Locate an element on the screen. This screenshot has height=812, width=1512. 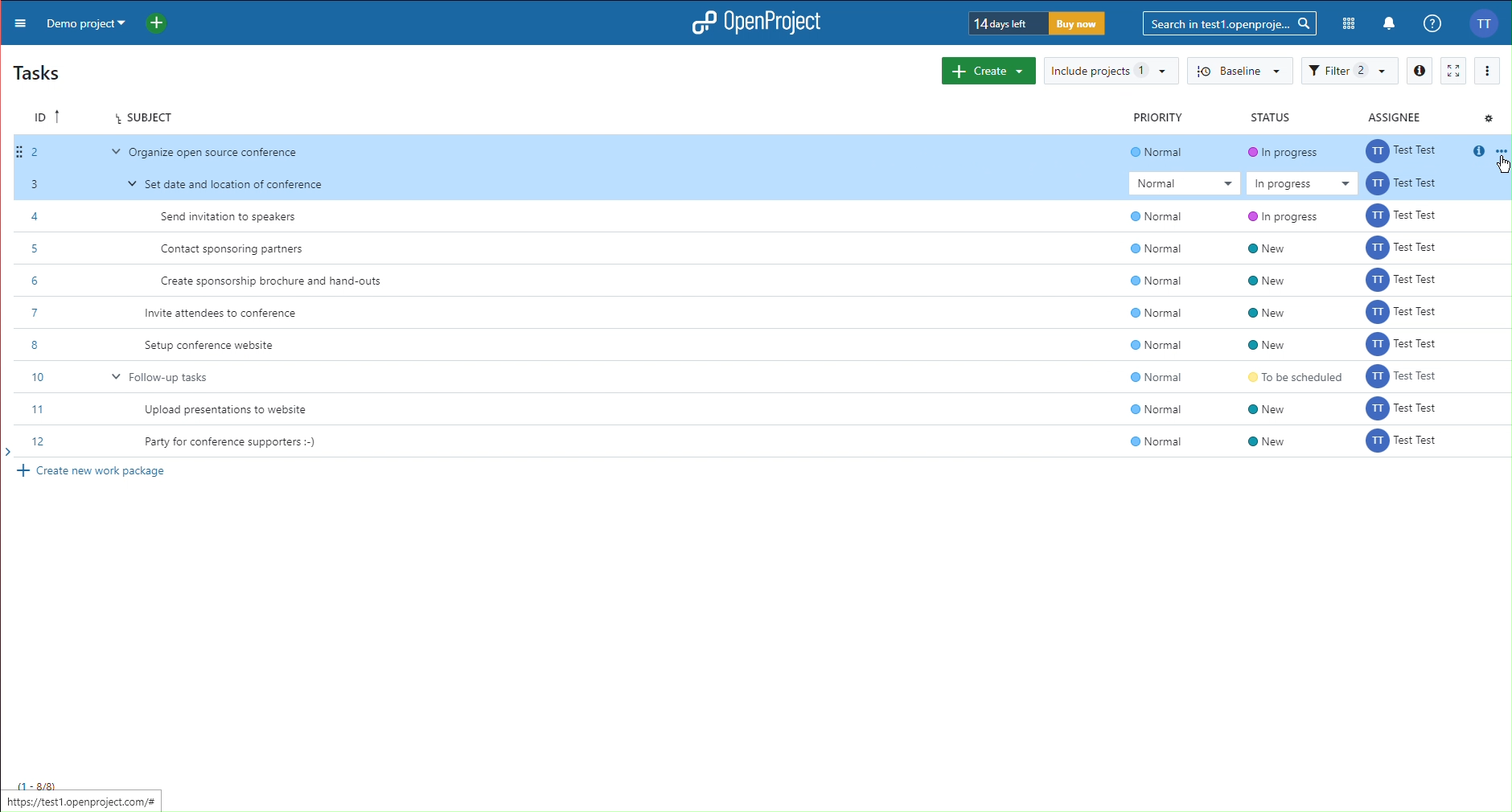
info is located at coordinates (1475, 149).